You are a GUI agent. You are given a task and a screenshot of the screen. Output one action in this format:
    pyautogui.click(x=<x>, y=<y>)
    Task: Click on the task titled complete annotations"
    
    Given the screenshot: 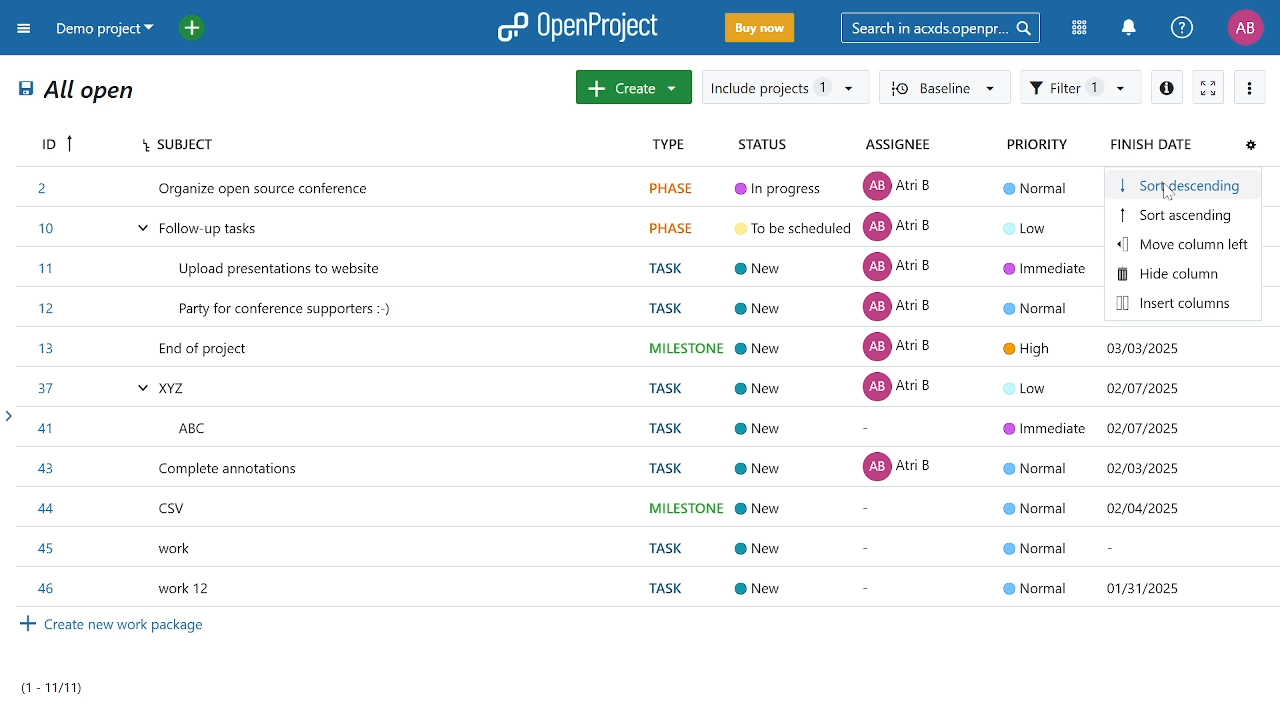 What is the action you would take?
    pyautogui.click(x=650, y=465)
    